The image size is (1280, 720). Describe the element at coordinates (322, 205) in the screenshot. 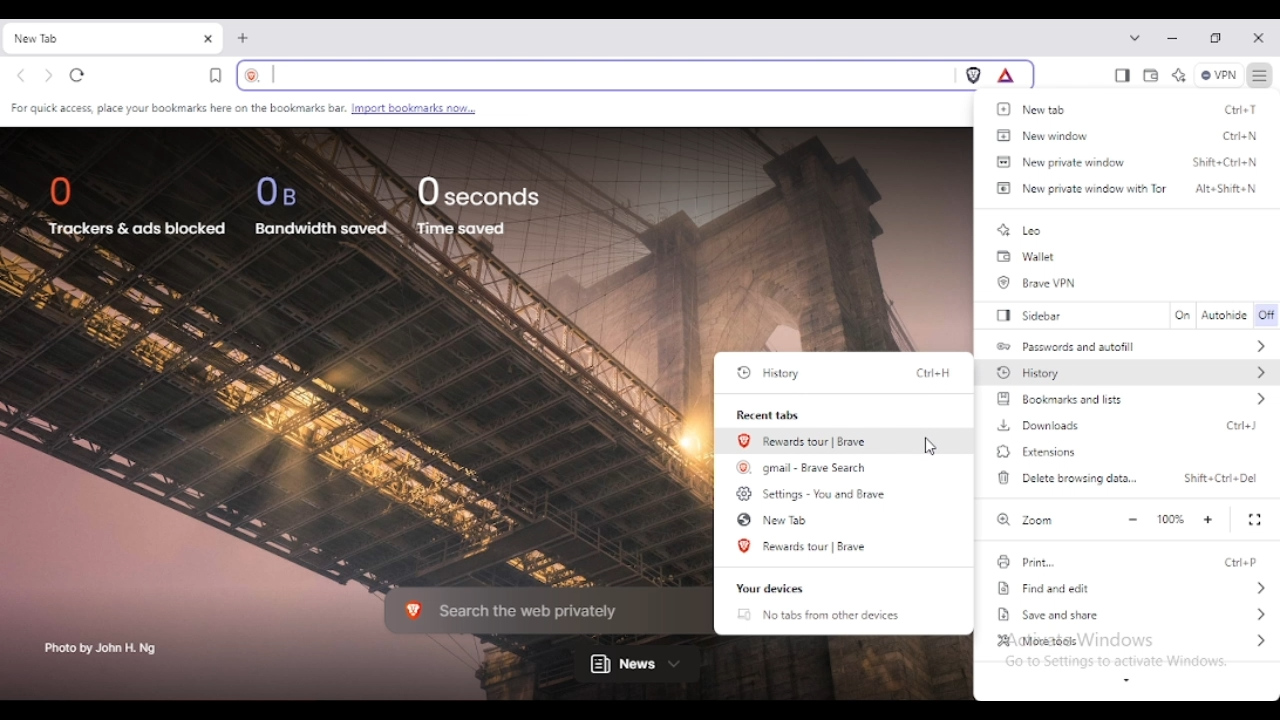

I see `0 B bandwidth saved` at that location.